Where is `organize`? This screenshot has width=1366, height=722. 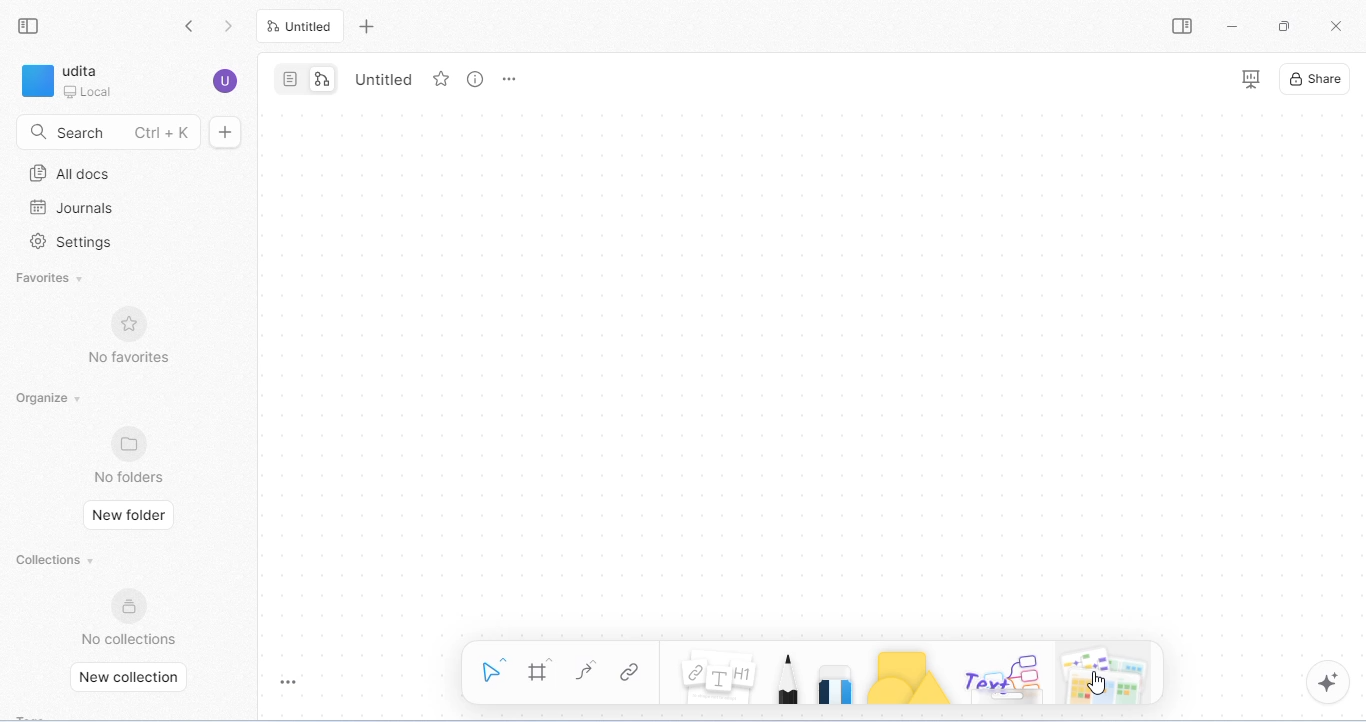
organize is located at coordinates (52, 399).